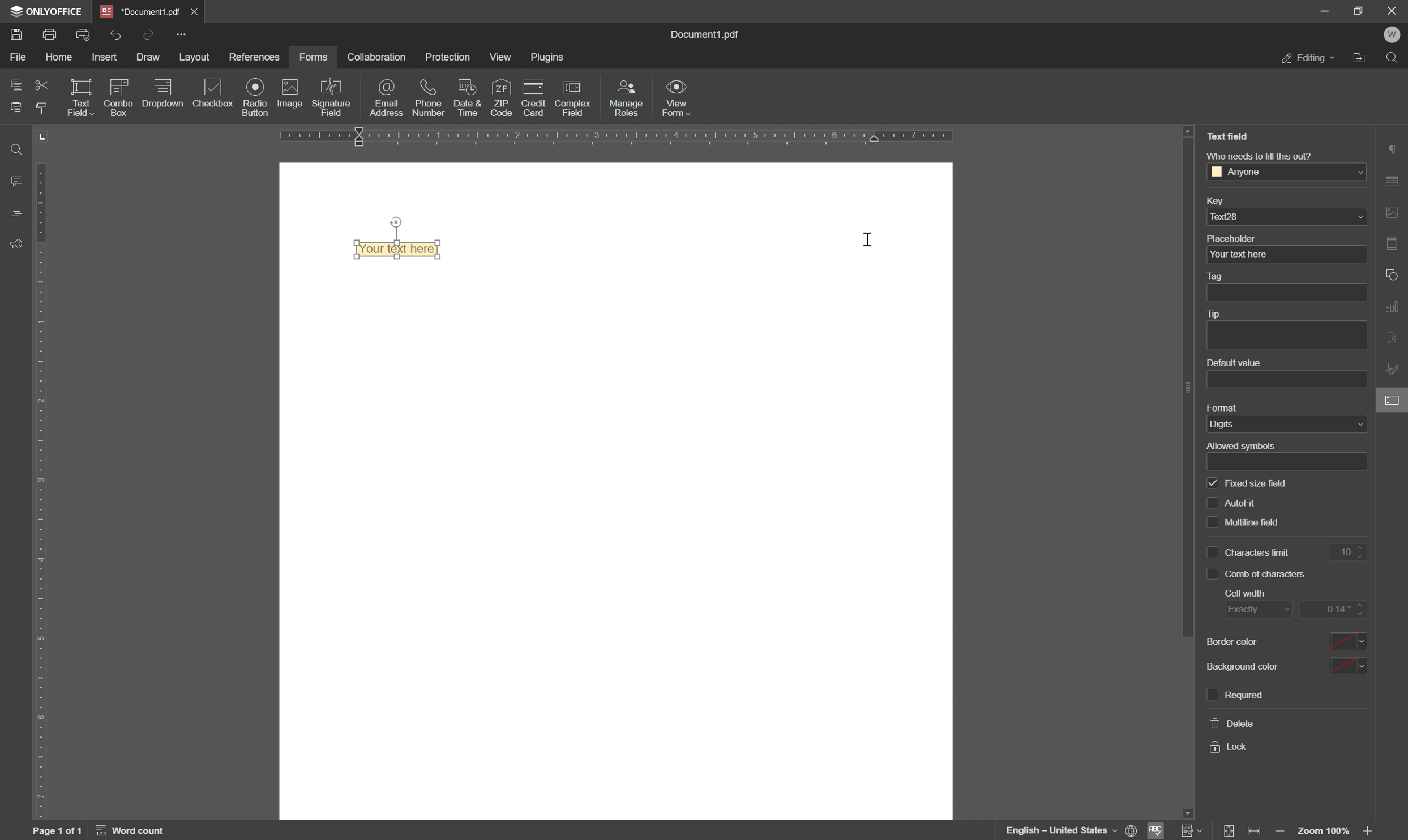  Describe the element at coordinates (335, 96) in the screenshot. I see `signature field` at that location.